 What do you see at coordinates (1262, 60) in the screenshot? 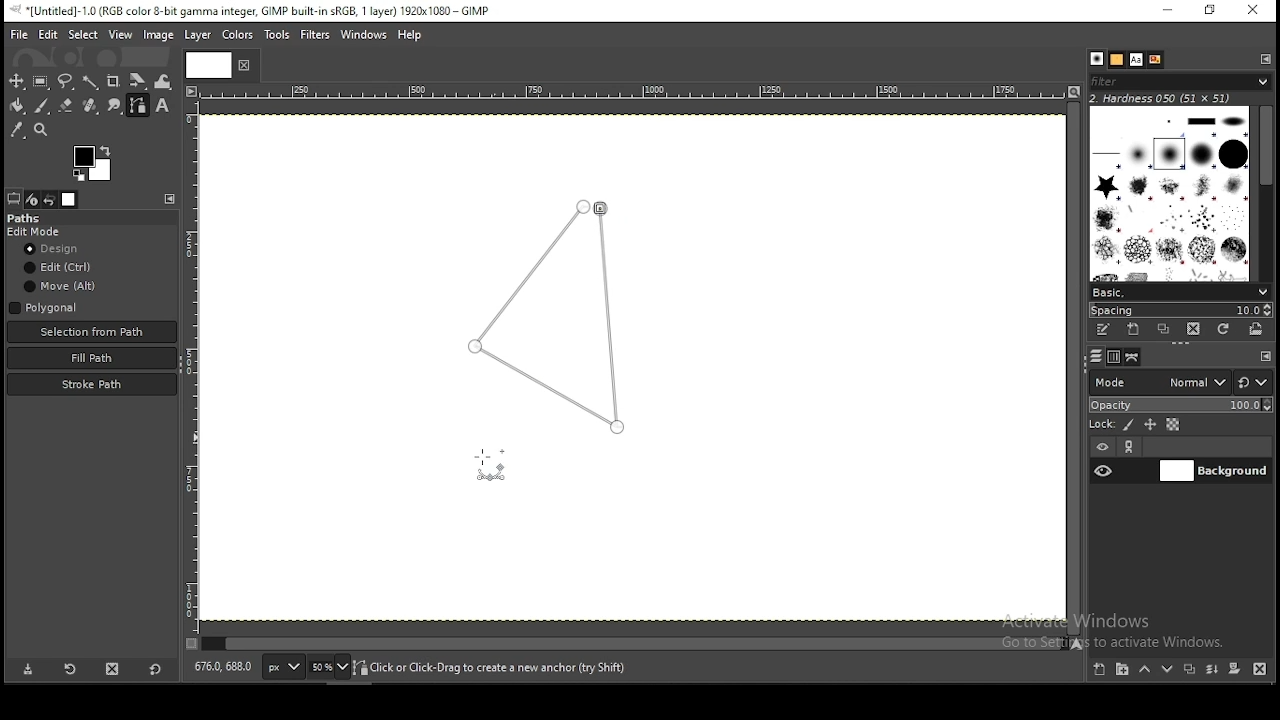
I see `configure this tab` at bounding box center [1262, 60].